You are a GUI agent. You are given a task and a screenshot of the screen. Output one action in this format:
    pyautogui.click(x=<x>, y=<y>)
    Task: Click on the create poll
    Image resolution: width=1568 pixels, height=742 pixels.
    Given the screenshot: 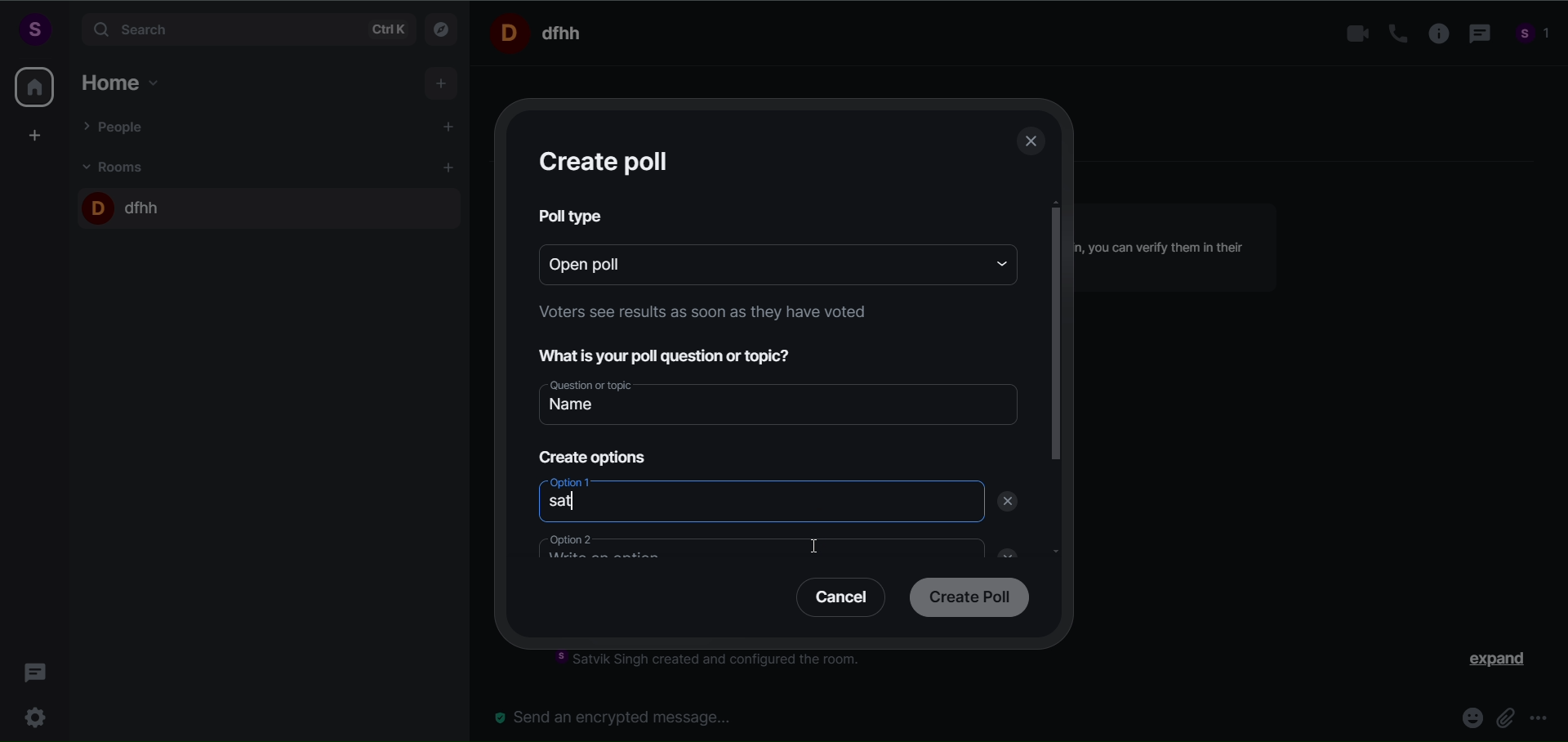 What is the action you would take?
    pyautogui.click(x=965, y=599)
    